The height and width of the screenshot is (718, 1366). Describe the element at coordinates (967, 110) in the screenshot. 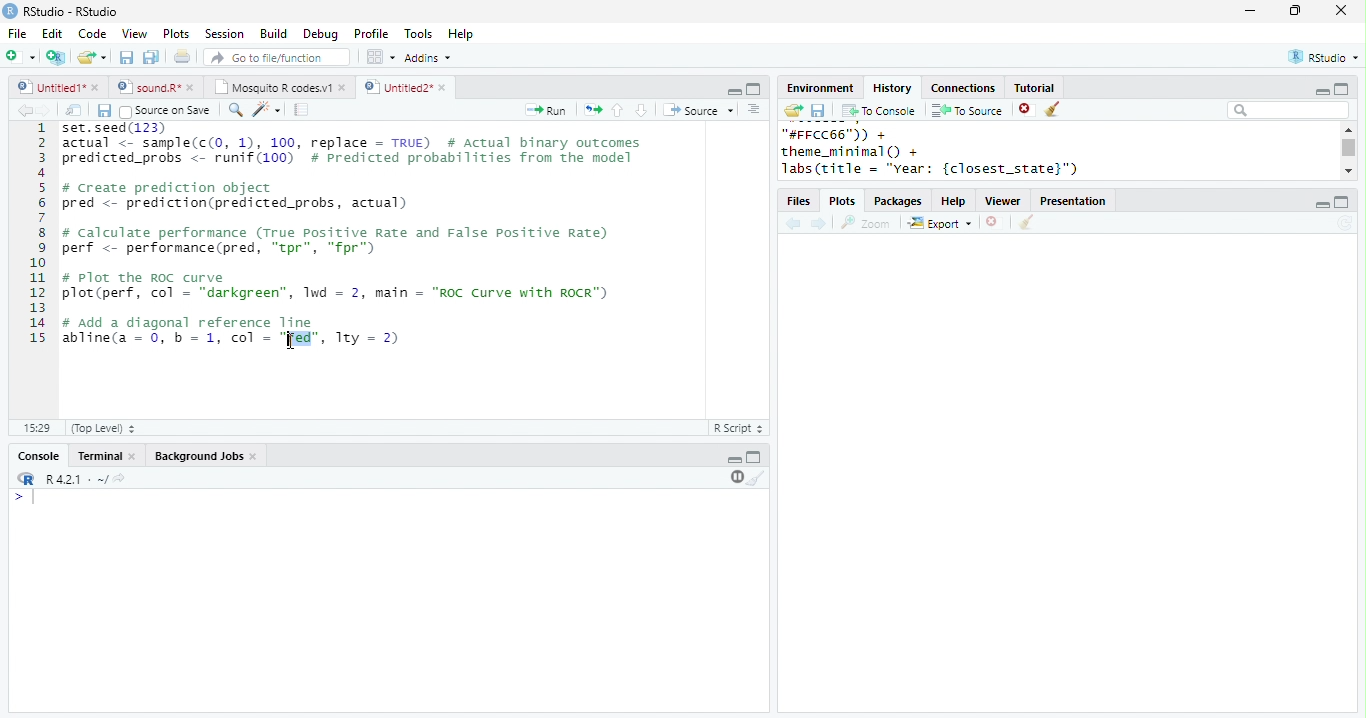

I see `To source` at that location.